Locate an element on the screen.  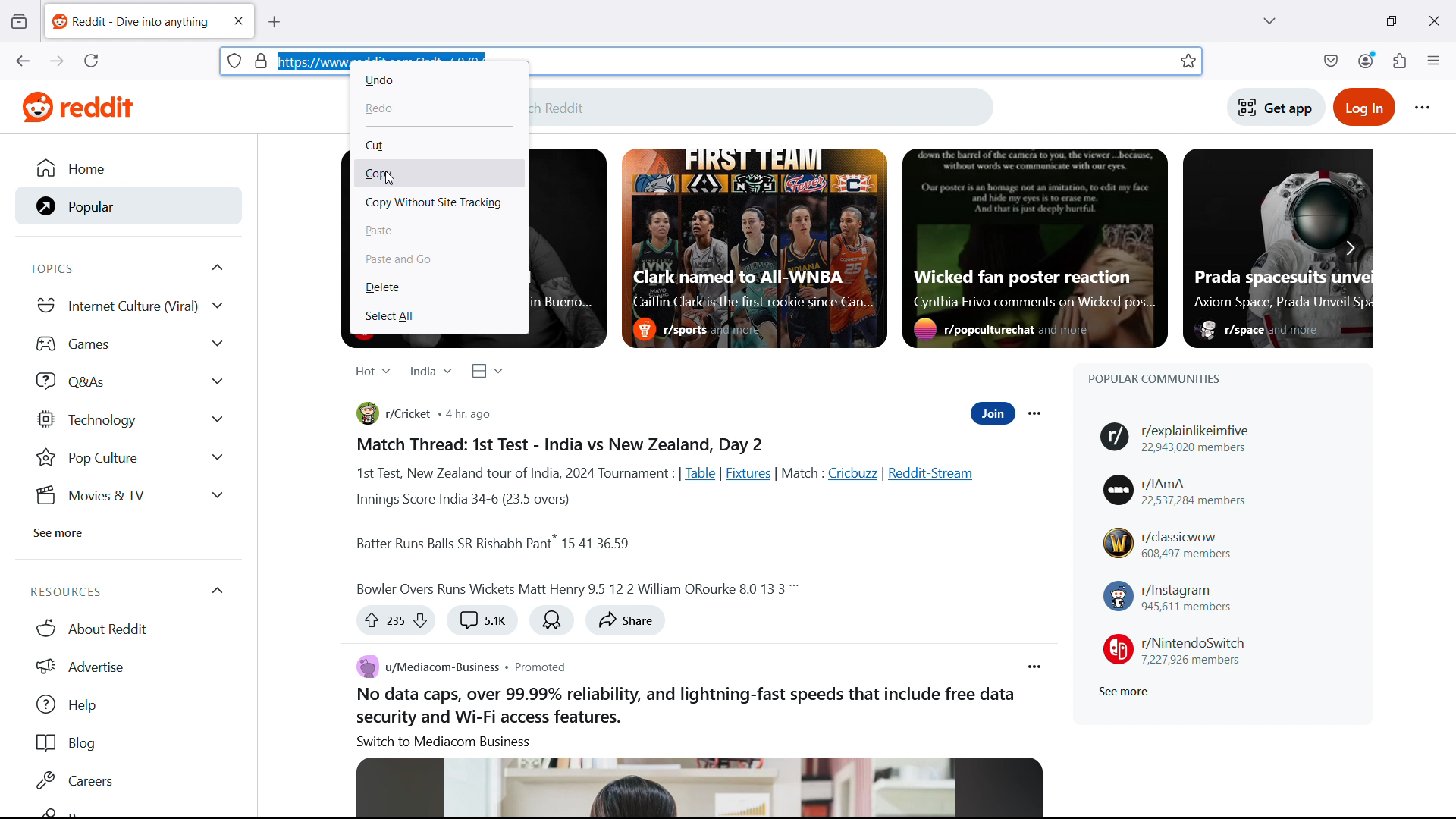
paste and go is located at coordinates (438, 255).